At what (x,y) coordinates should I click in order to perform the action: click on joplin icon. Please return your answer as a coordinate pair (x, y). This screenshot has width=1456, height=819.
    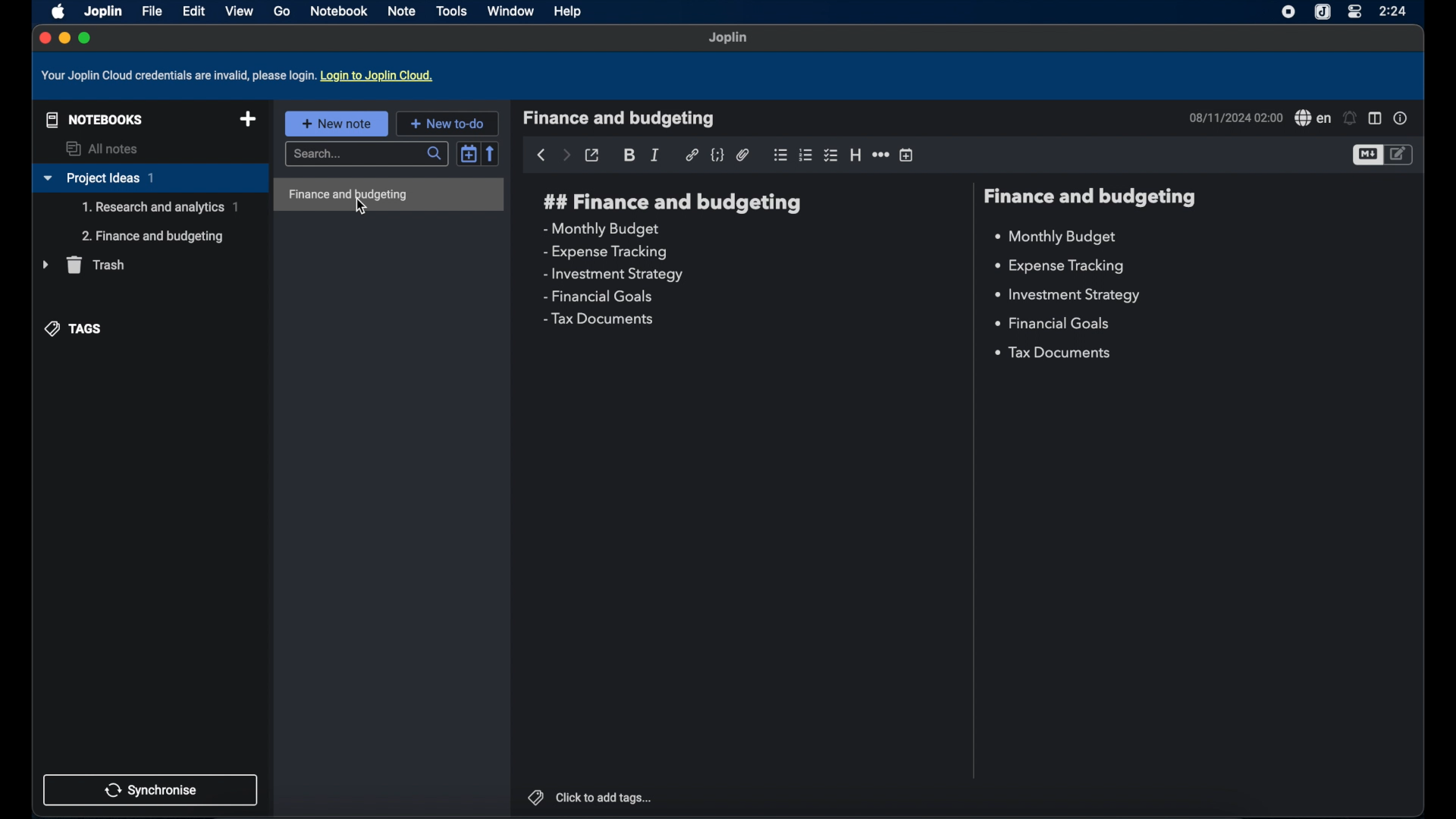
    Looking at the image, I should click on (1323, 12).